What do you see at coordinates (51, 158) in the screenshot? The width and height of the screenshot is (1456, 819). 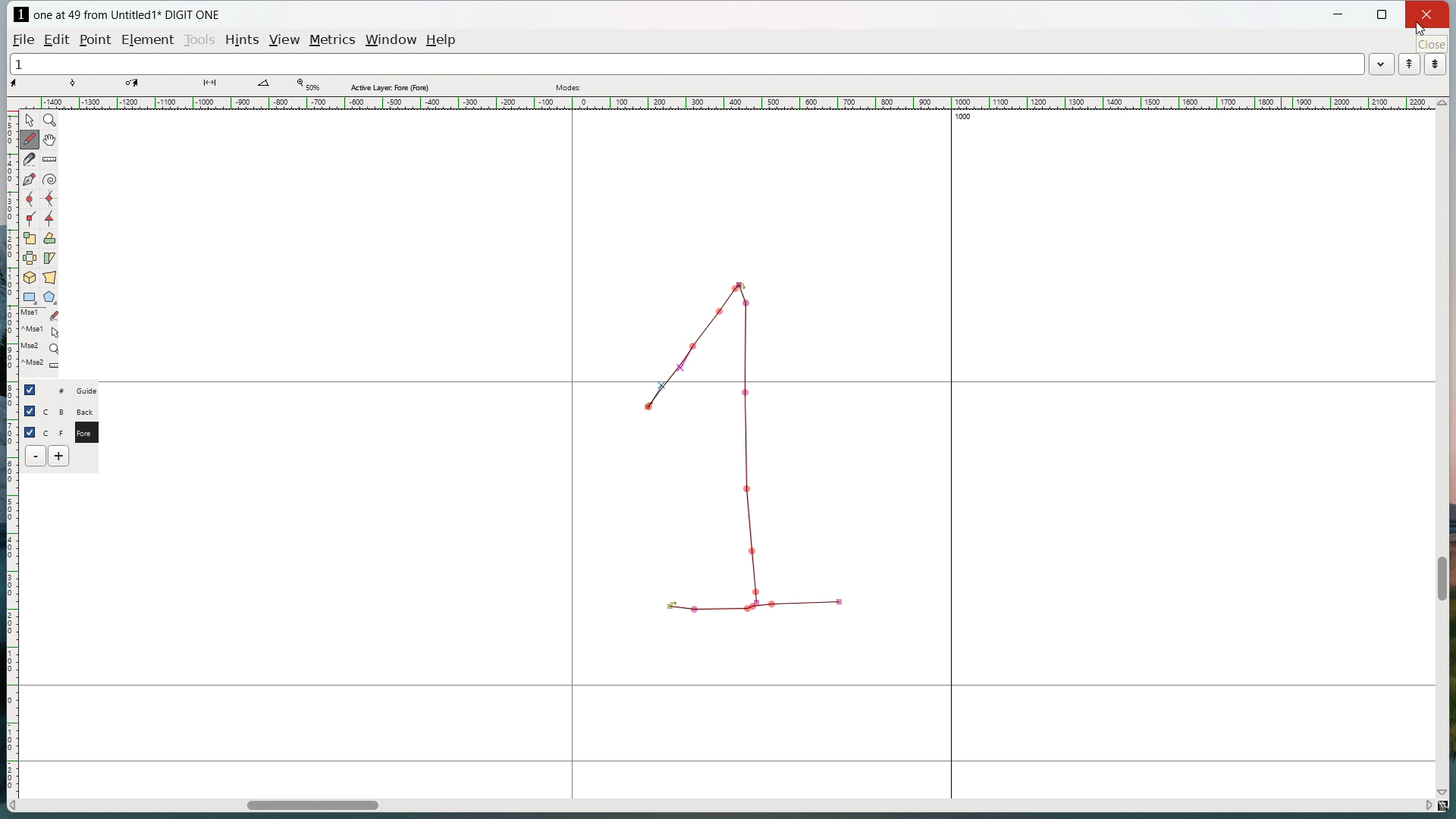 I see `measure distance or angle` at bounding box center [51, 158].